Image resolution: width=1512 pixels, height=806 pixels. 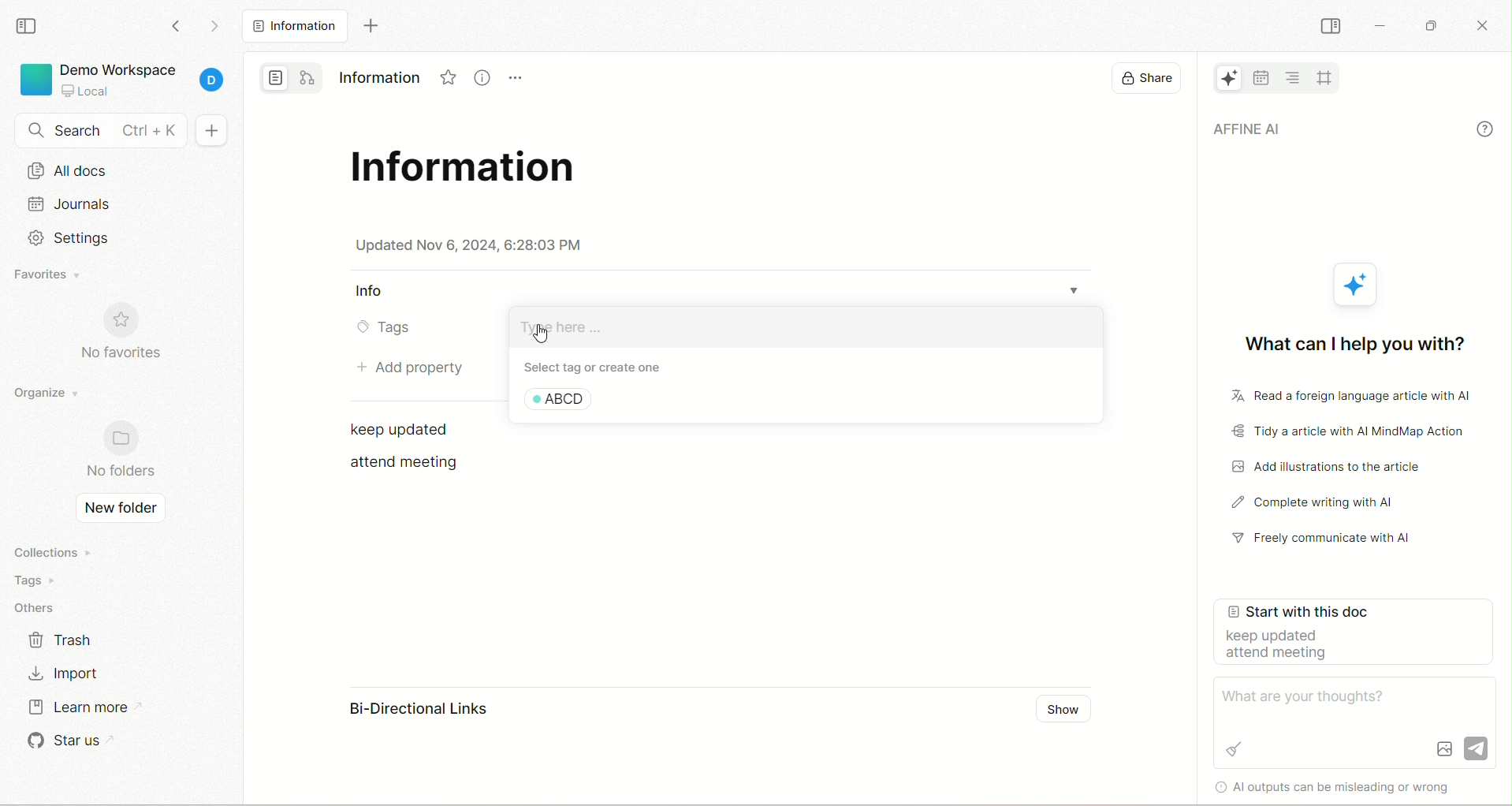 I want to click on learn more, so click(x=77, y=711).